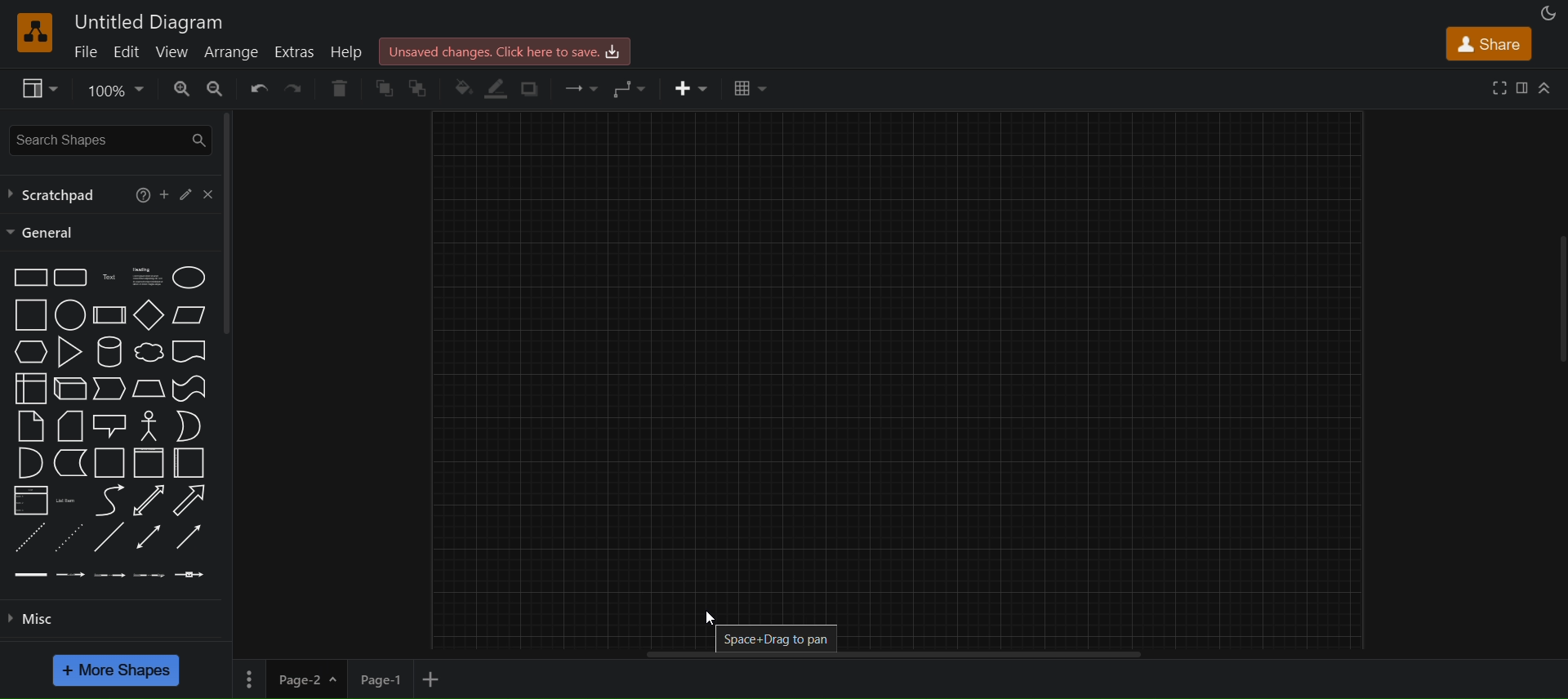  I want to click on document, so click(190, 351).